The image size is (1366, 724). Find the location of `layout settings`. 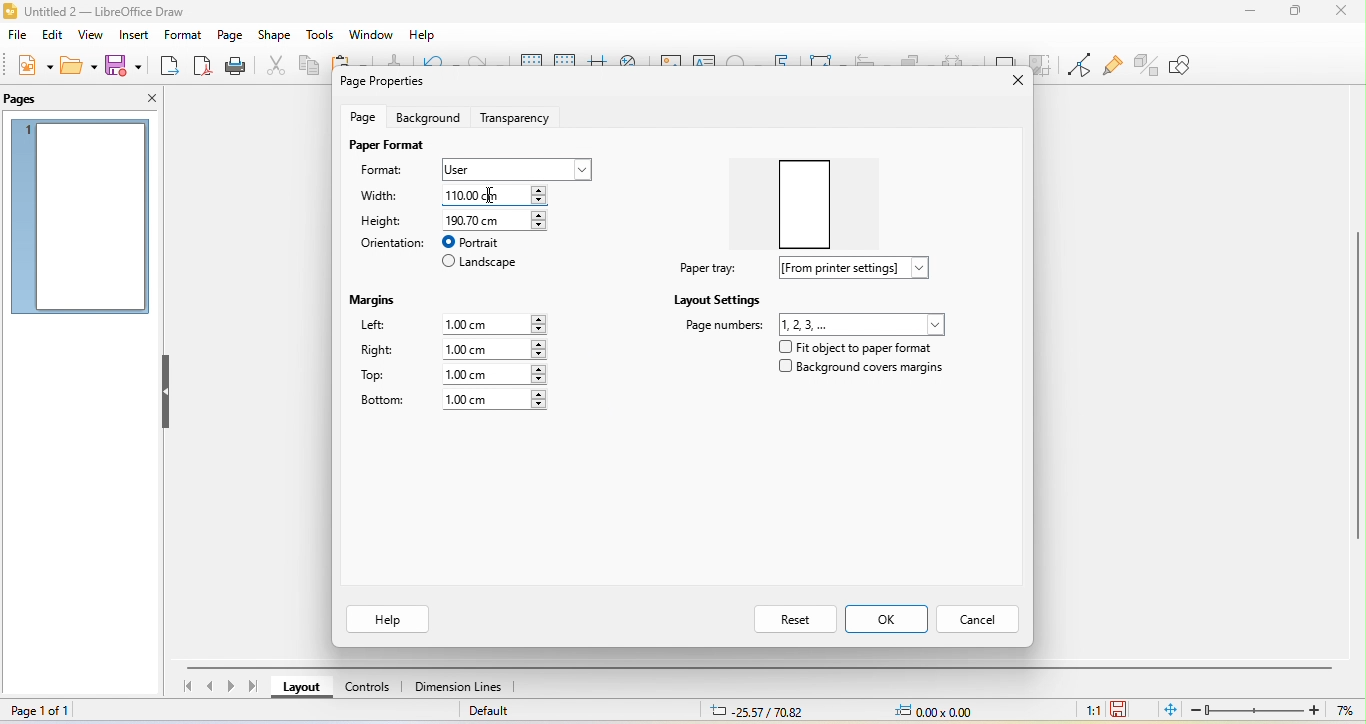

layout settings is located at coordinates (718, 299).